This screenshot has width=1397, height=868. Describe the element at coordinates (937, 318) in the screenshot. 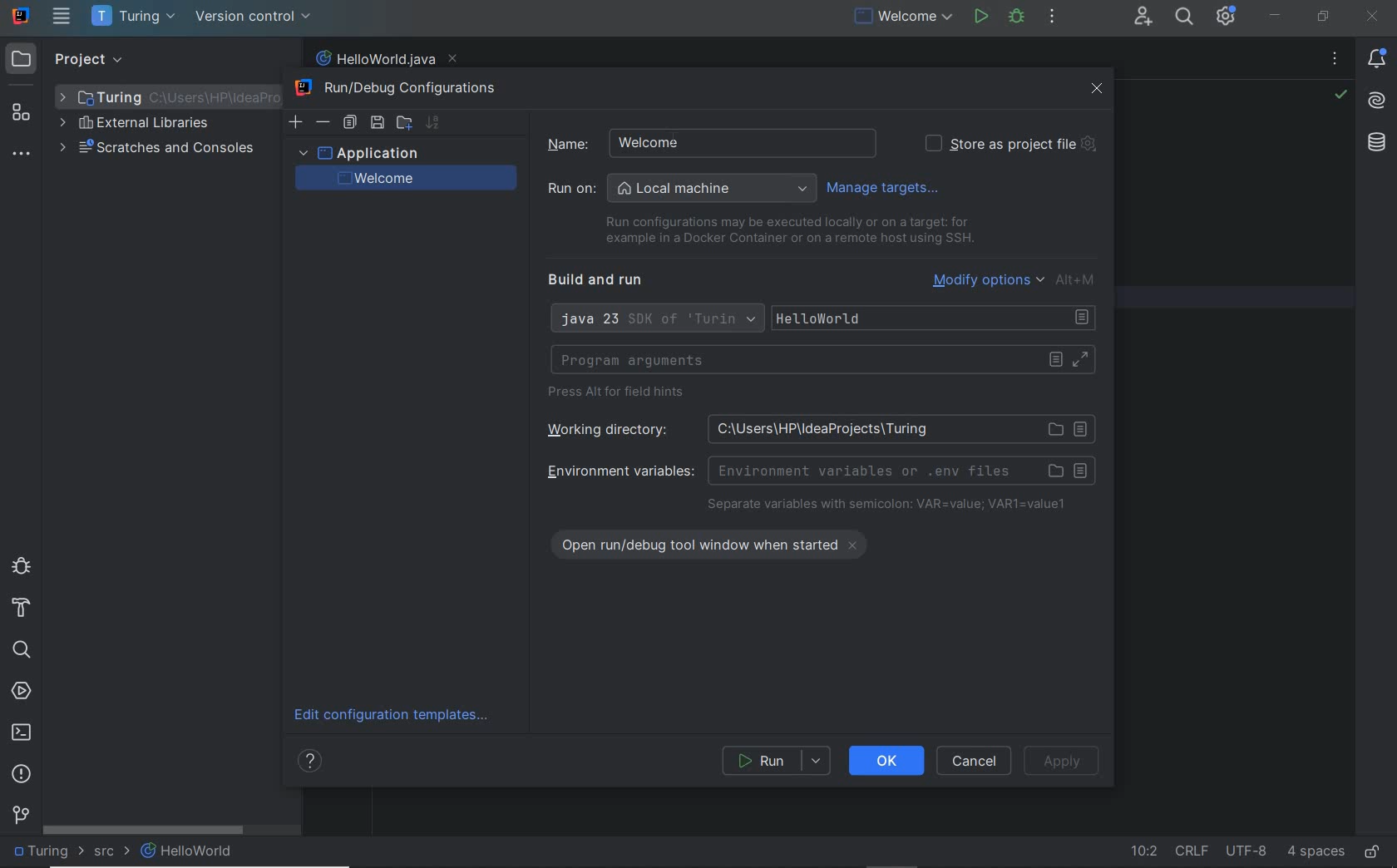

I see `HelloWorld` at that location.